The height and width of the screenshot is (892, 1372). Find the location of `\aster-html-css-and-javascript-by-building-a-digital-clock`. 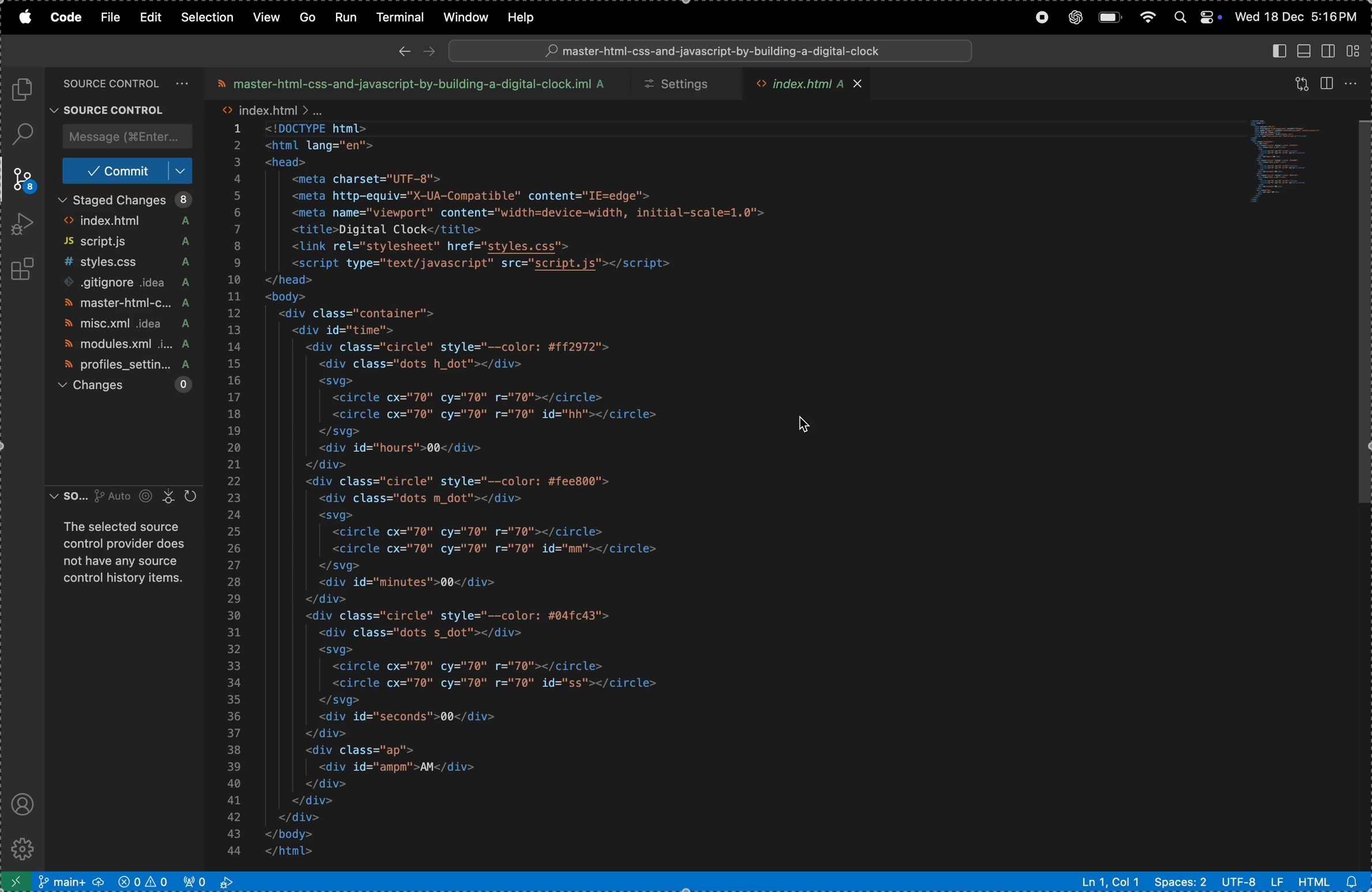

\aster-html-css-and-javascript-by-building-a-digital-clock is located at coordinates (713, 51).